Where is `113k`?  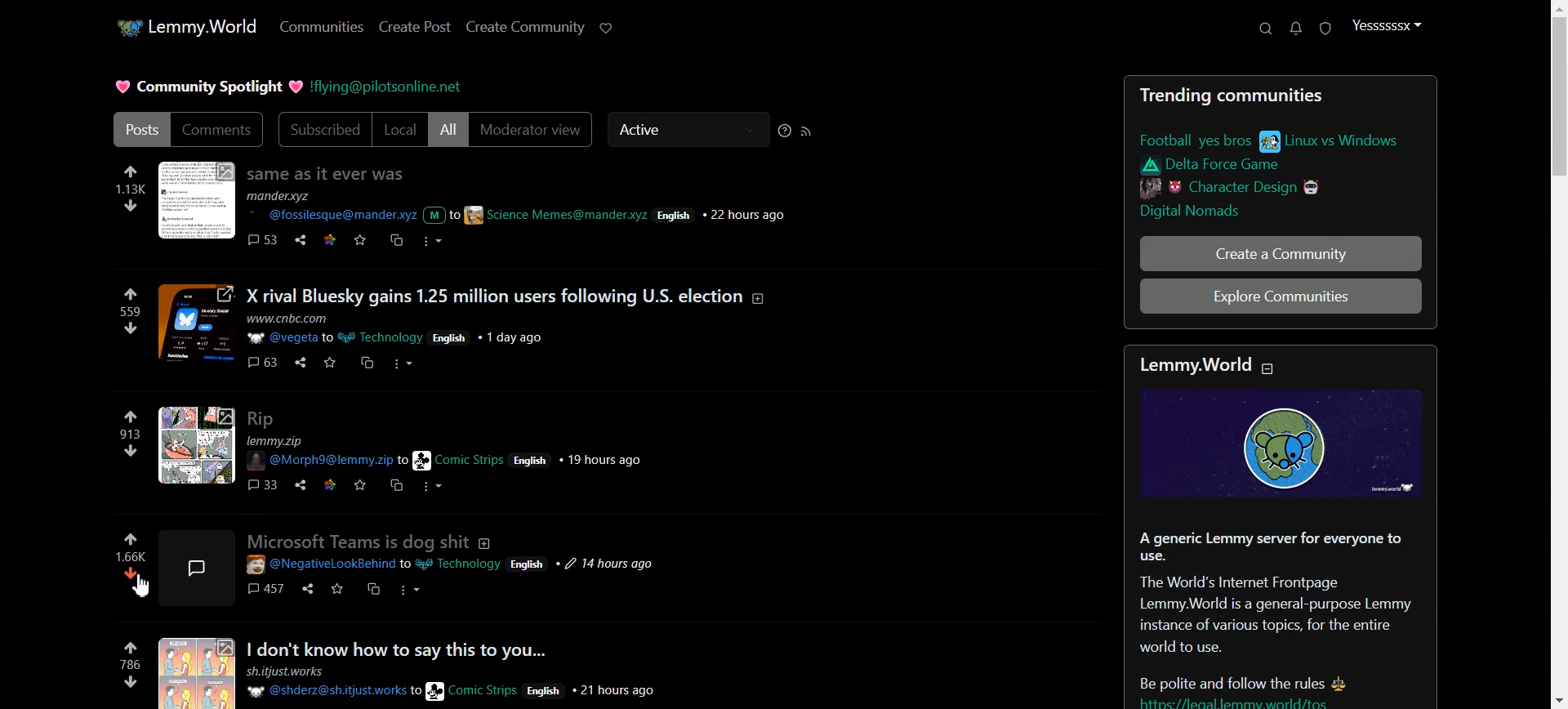
113k is located at coordinates (131, 190).